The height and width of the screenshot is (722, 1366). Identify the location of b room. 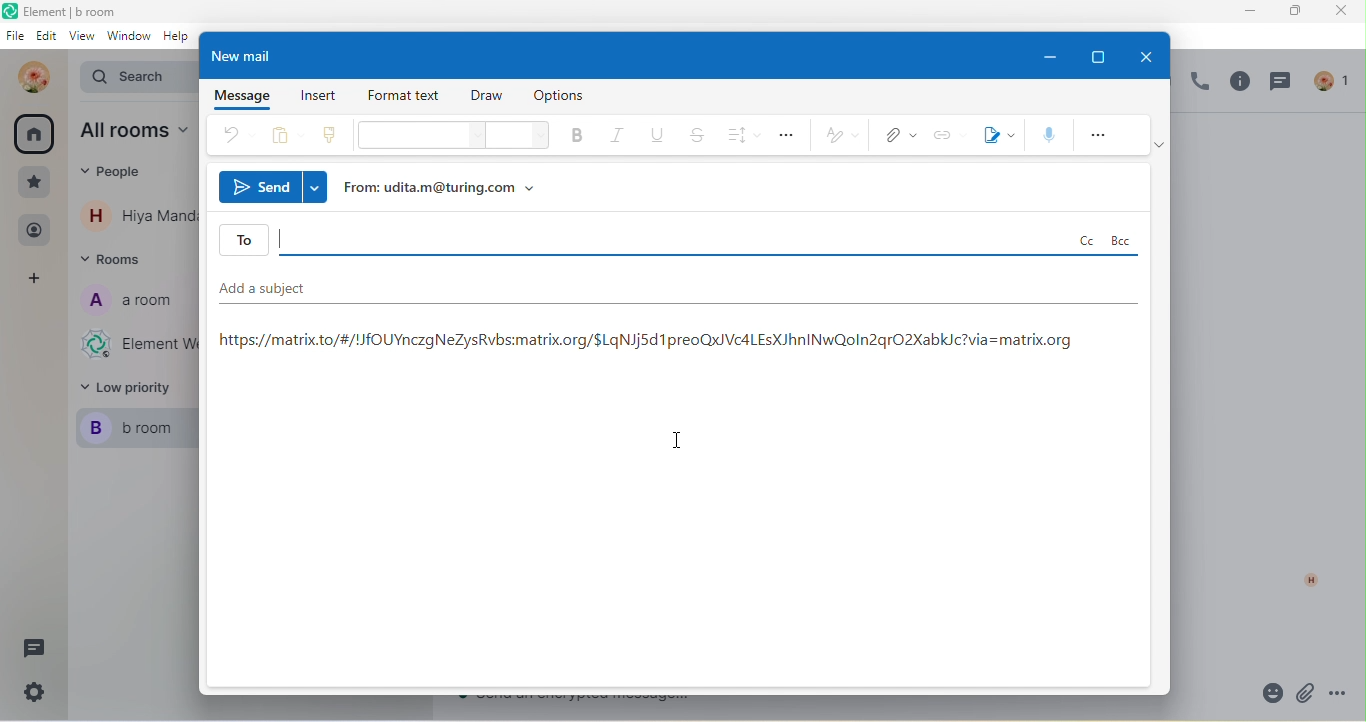
(136, 430).